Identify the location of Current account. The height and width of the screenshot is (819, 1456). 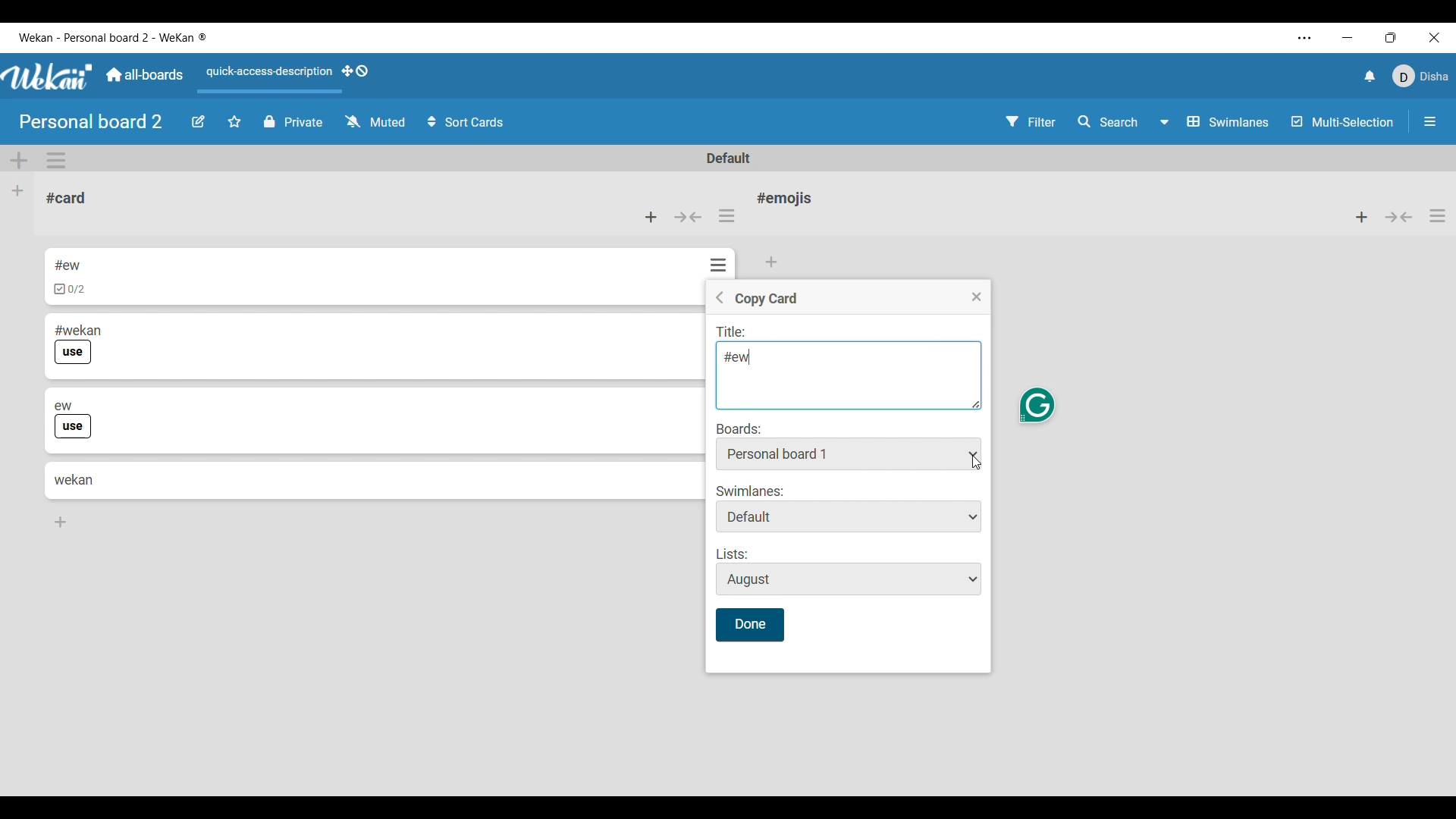
(1421, 76).